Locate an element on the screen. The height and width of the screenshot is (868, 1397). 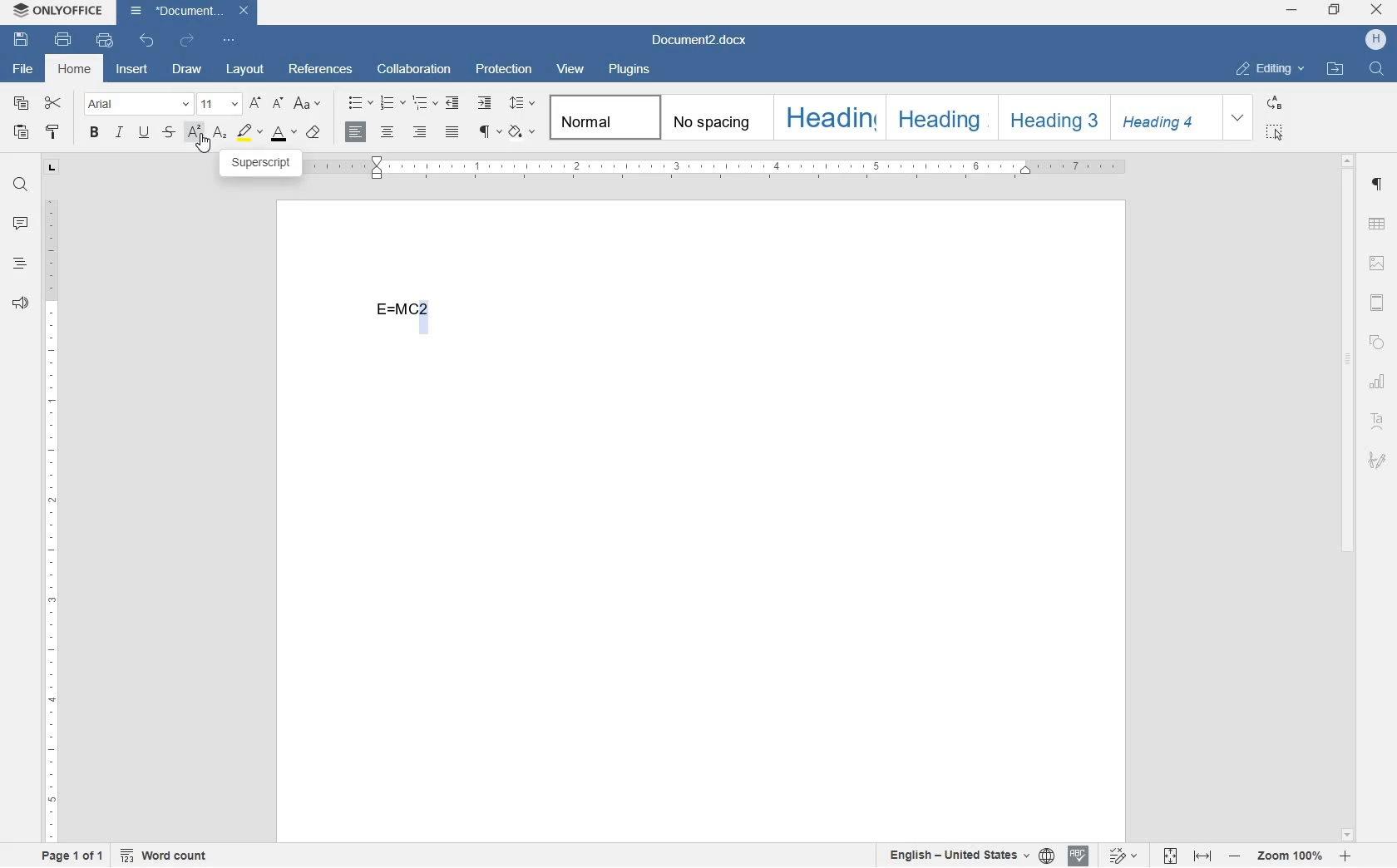
text art is located at coordinates (1380, 422).